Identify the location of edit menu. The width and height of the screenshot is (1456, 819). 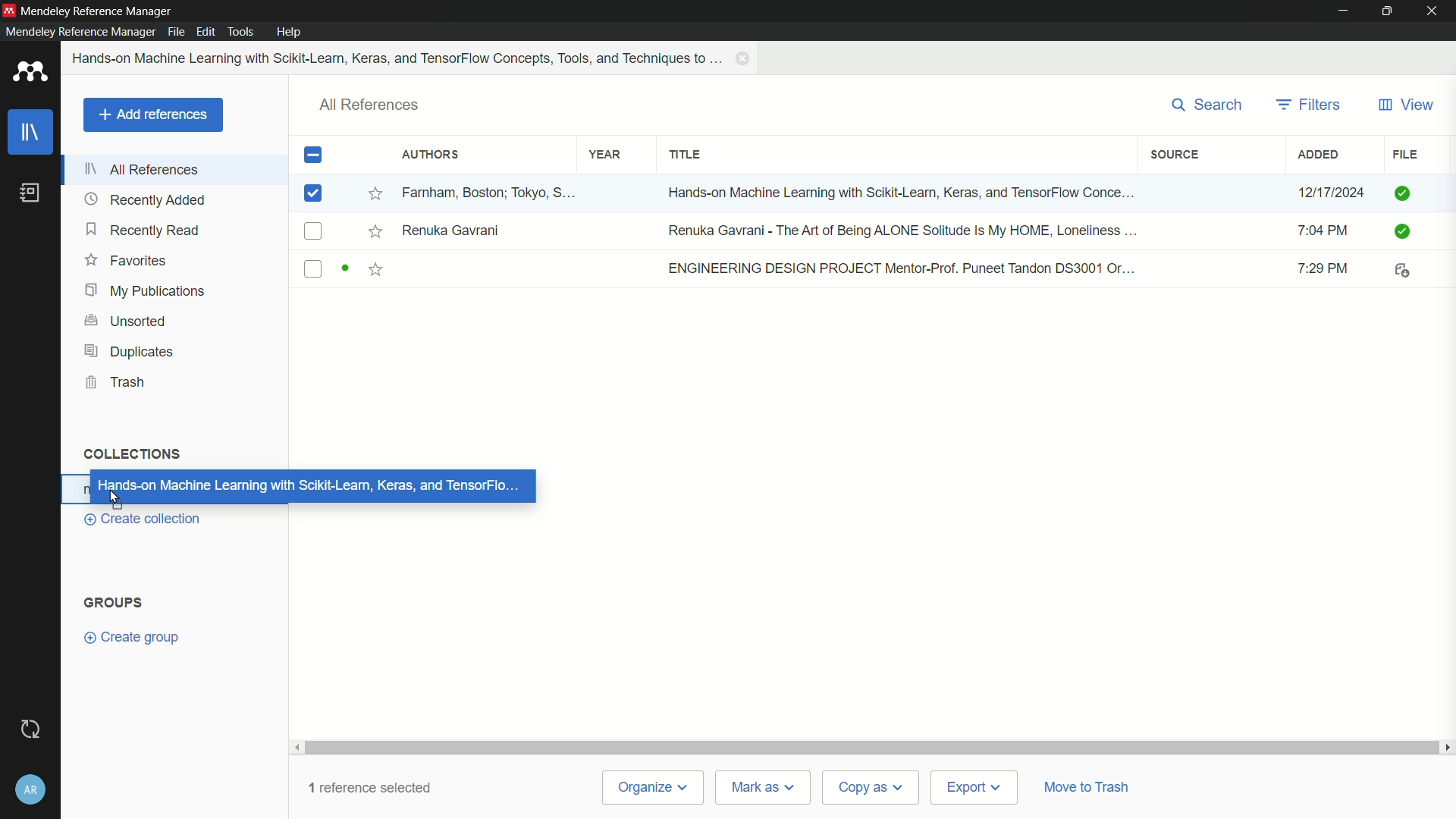
(206, 32).